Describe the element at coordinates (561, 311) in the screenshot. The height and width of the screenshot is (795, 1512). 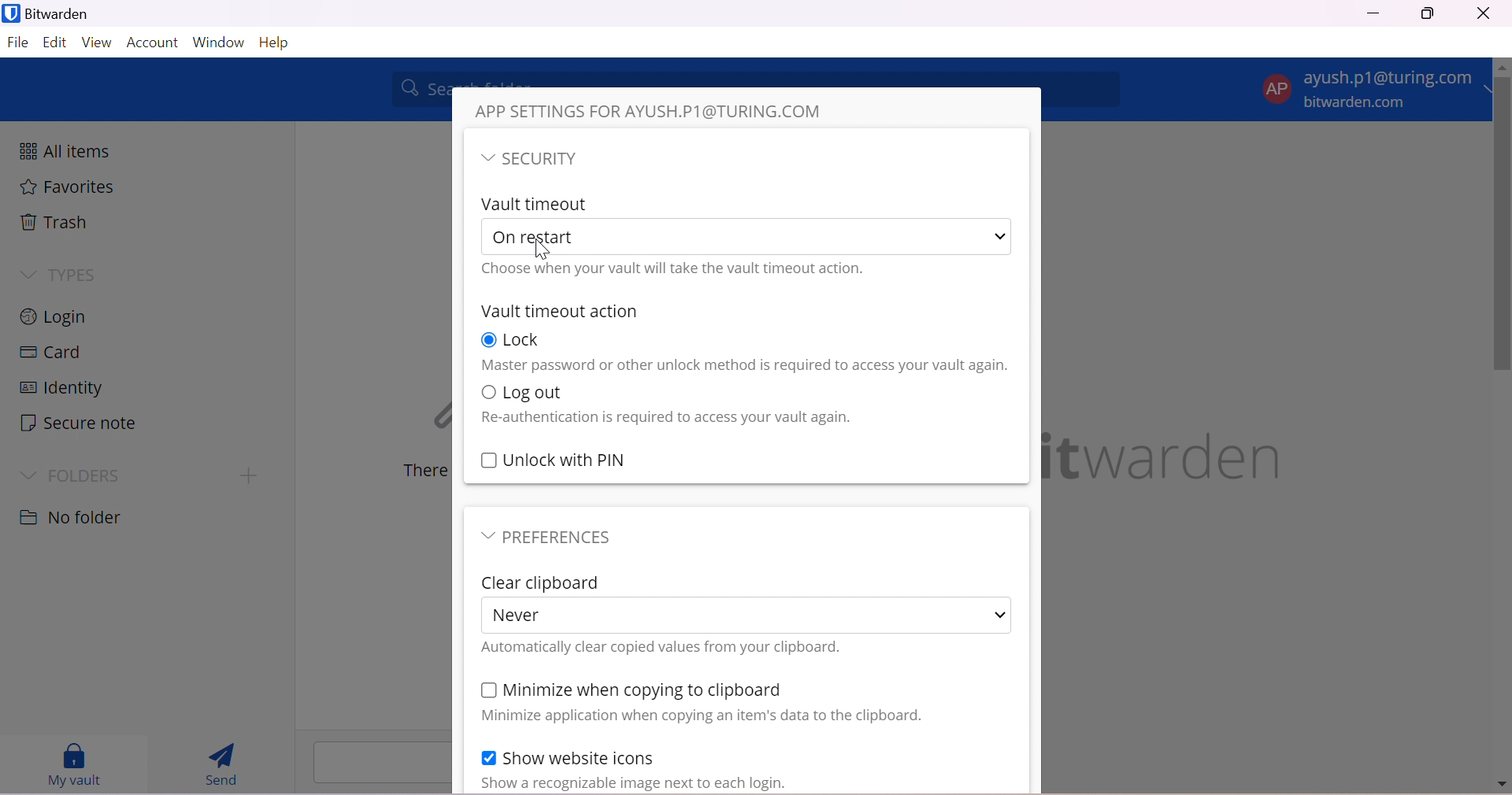
I see `Vault timeout action` at that location.